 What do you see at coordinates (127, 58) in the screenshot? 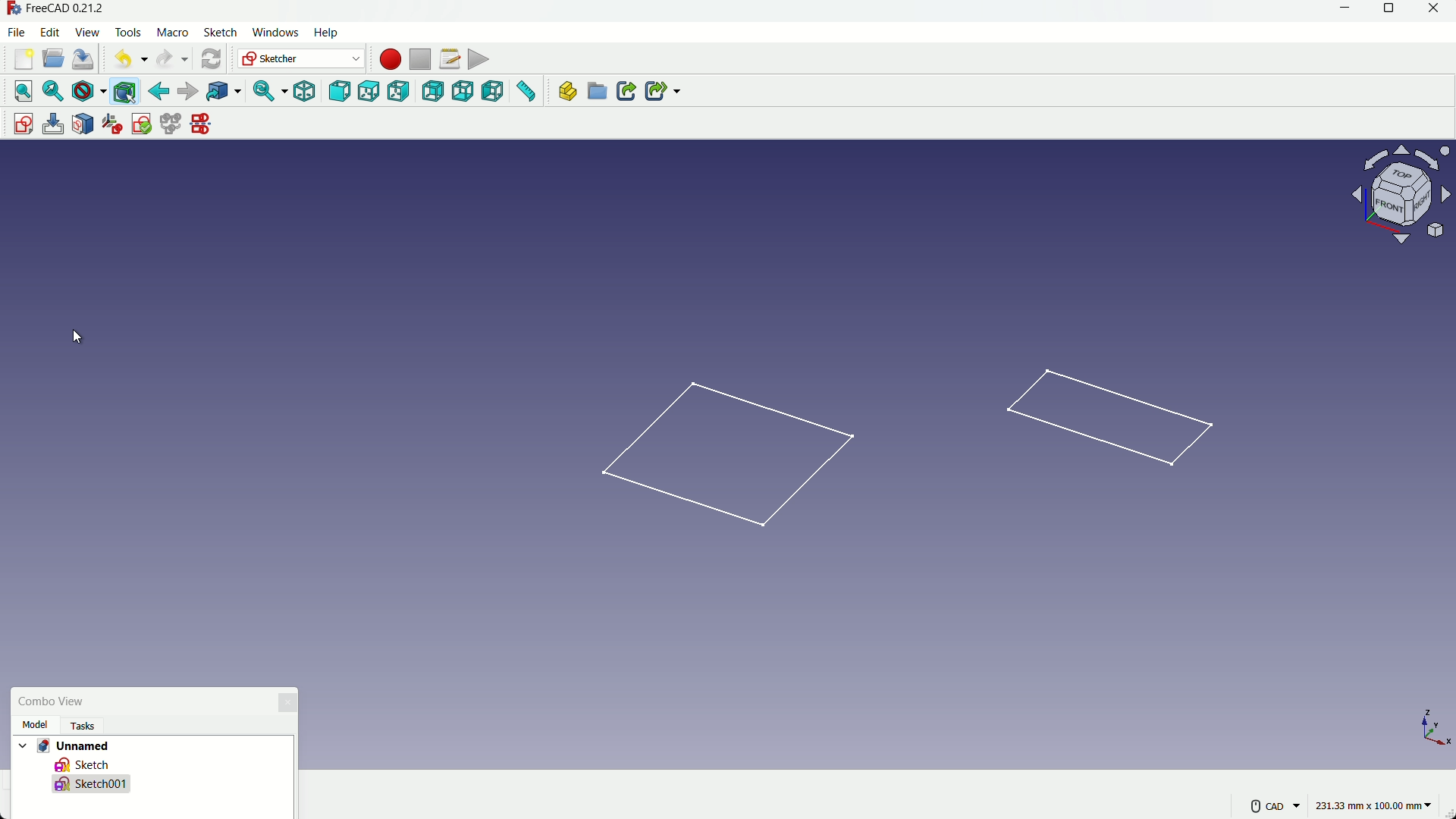
I see `undo` at bounding box center [127, 58].